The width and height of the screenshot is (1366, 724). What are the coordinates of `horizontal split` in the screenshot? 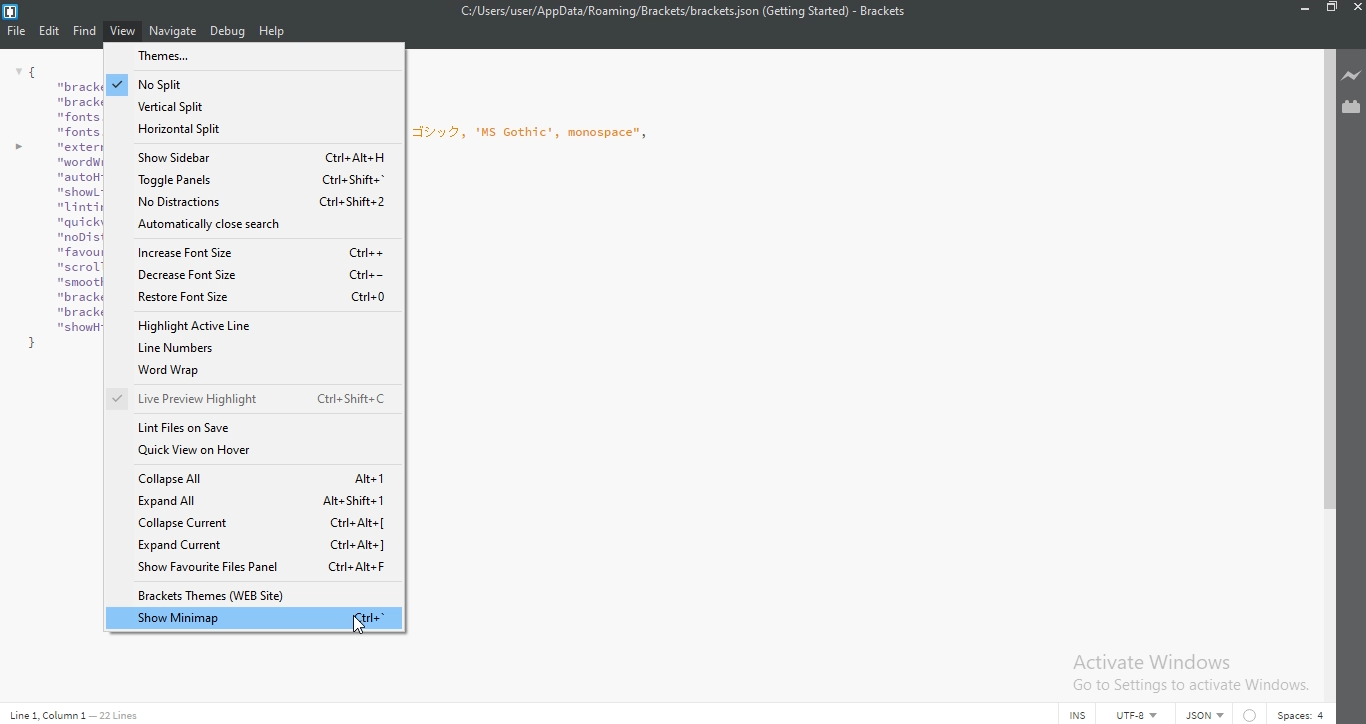 It's located at (254, 128).